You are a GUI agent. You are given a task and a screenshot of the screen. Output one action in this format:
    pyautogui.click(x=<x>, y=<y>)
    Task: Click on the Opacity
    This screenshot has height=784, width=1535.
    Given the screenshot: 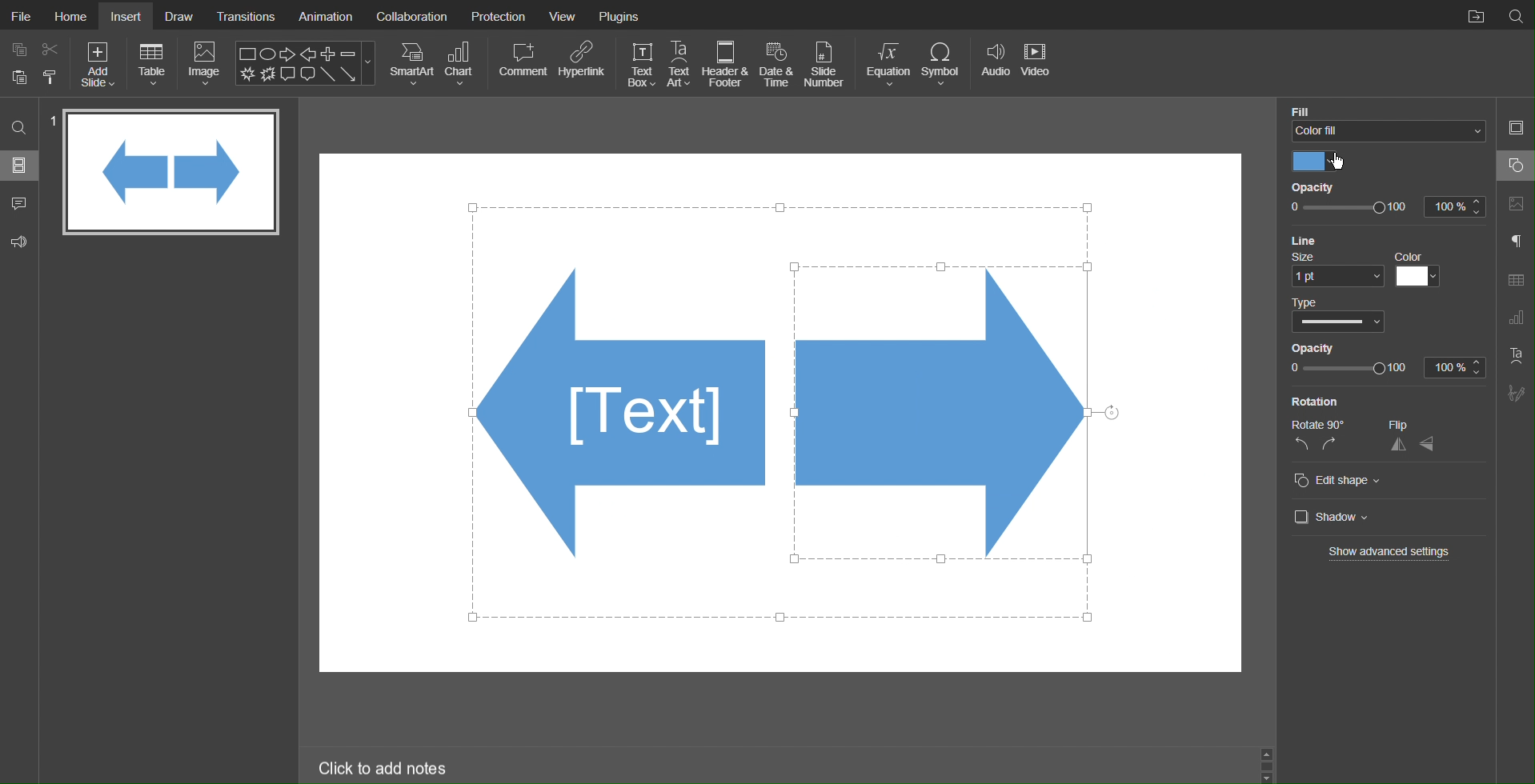 What is the action you would take?
    pyautogui.click(x=1325, y=347)
    